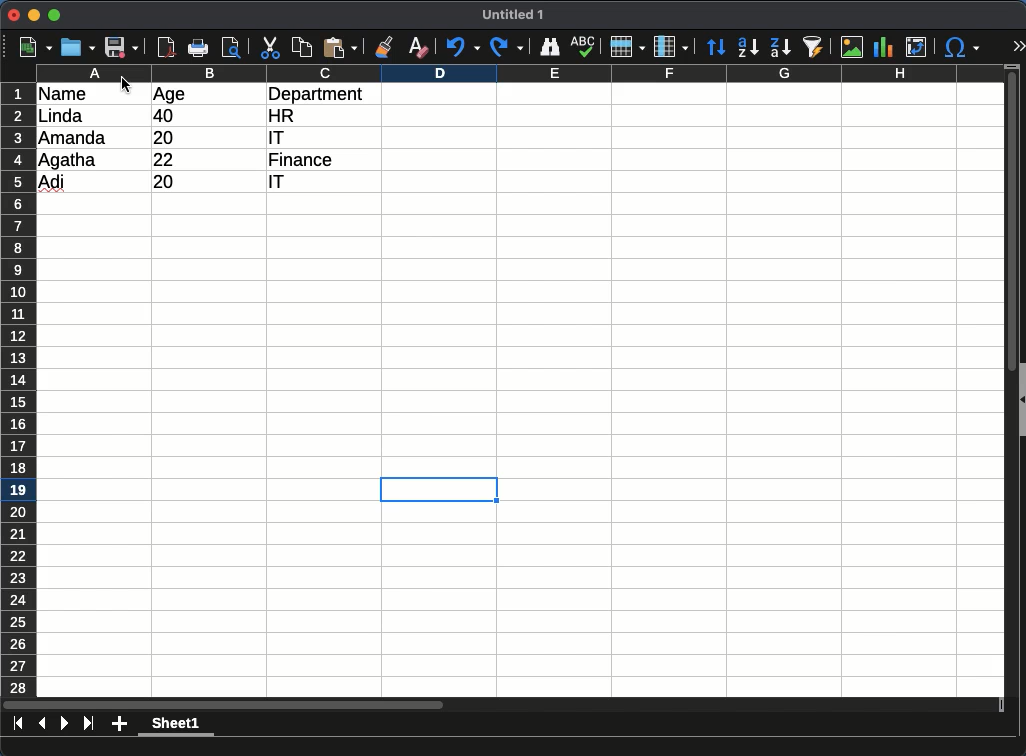 The width and height of the screenshot is (1026, 756). Describe the element at coordinates (35, 14) in the screenshot. I see `minimize` at that location.